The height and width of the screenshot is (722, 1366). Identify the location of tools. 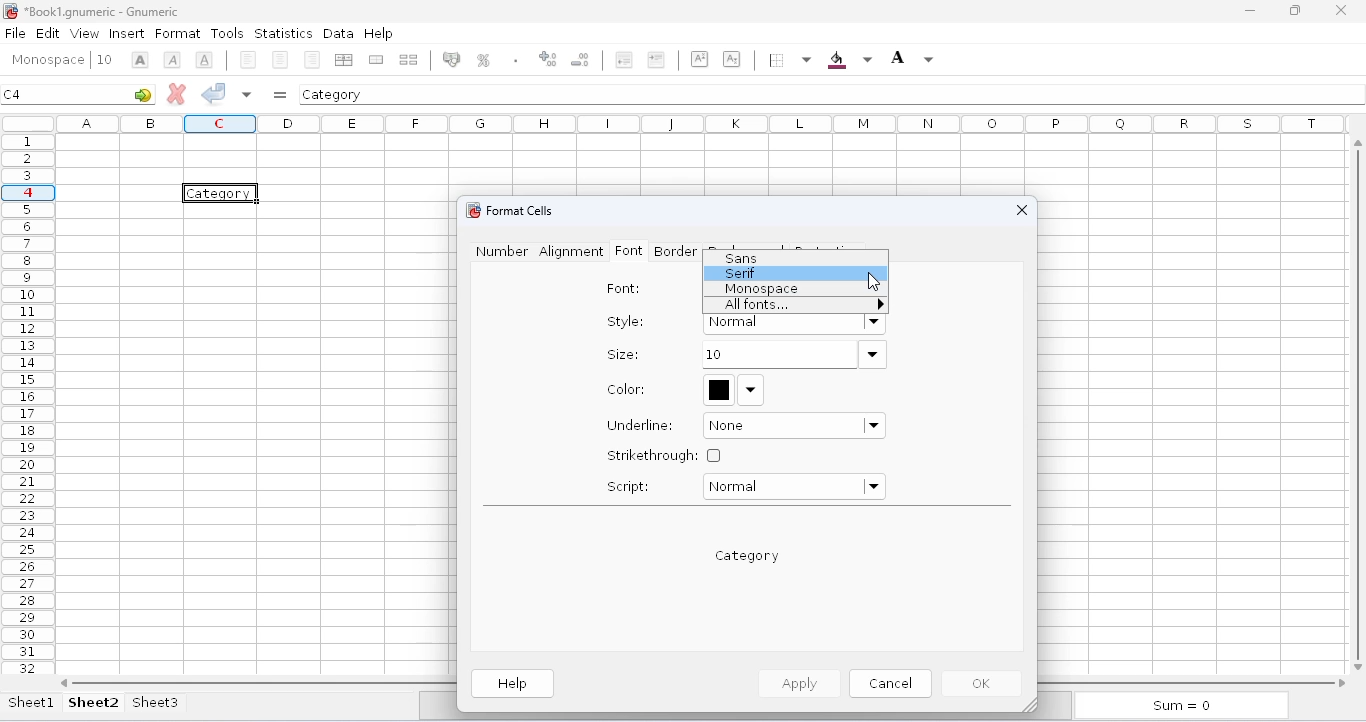
(227, 33).